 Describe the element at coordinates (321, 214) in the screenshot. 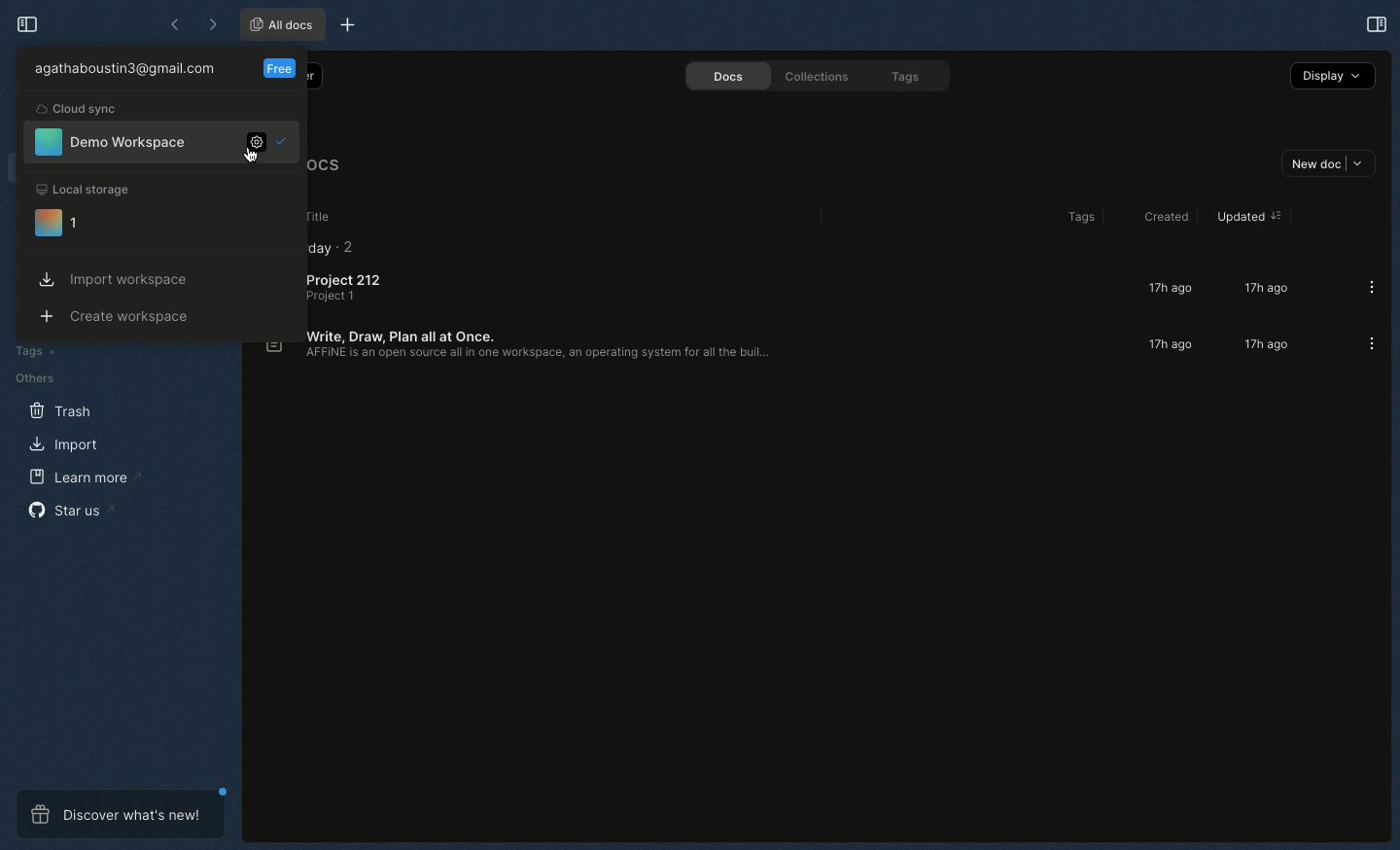

I see `Title` at that location.